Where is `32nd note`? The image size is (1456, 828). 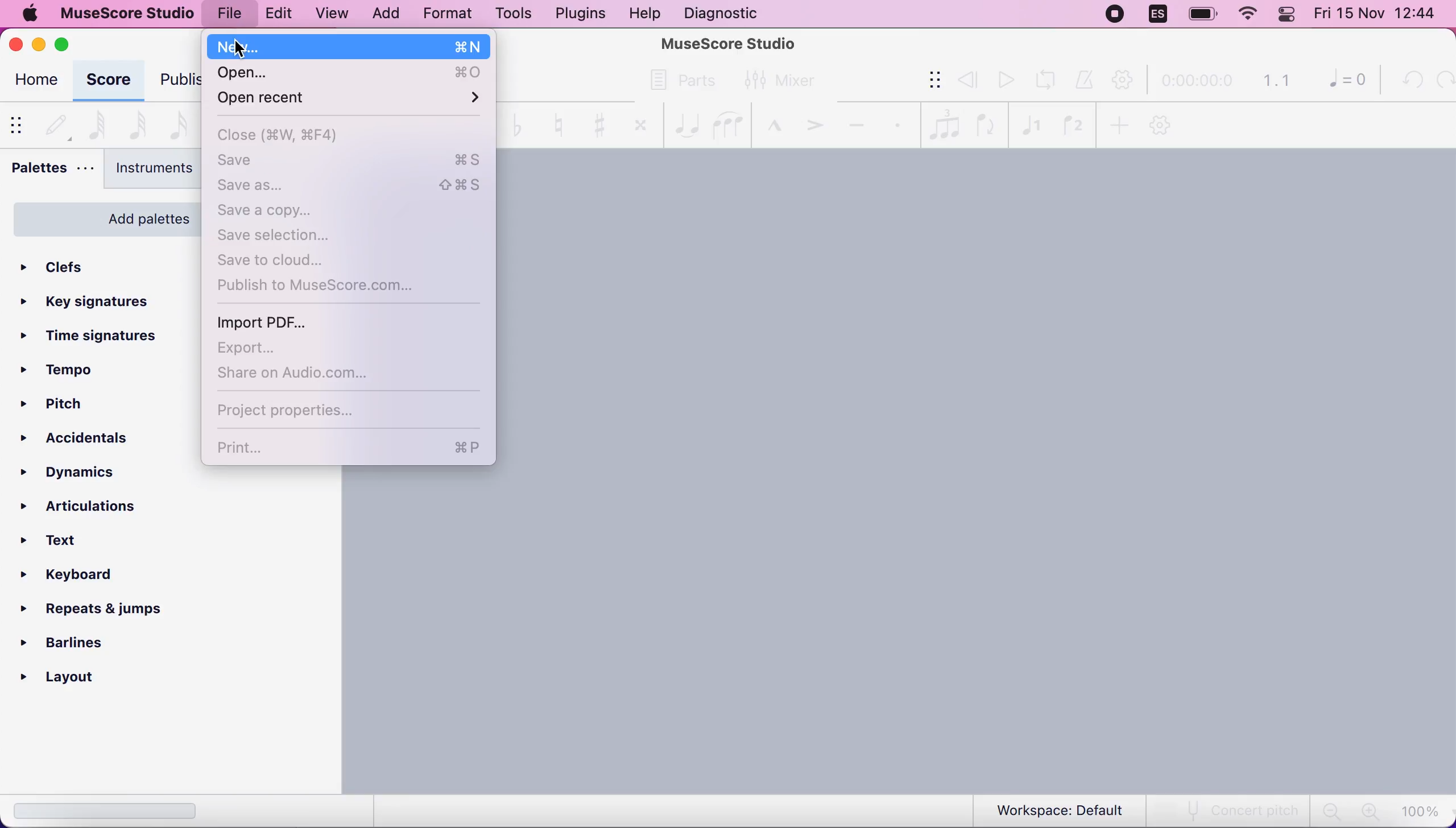
32nd note is located at coordinates (135, 125).